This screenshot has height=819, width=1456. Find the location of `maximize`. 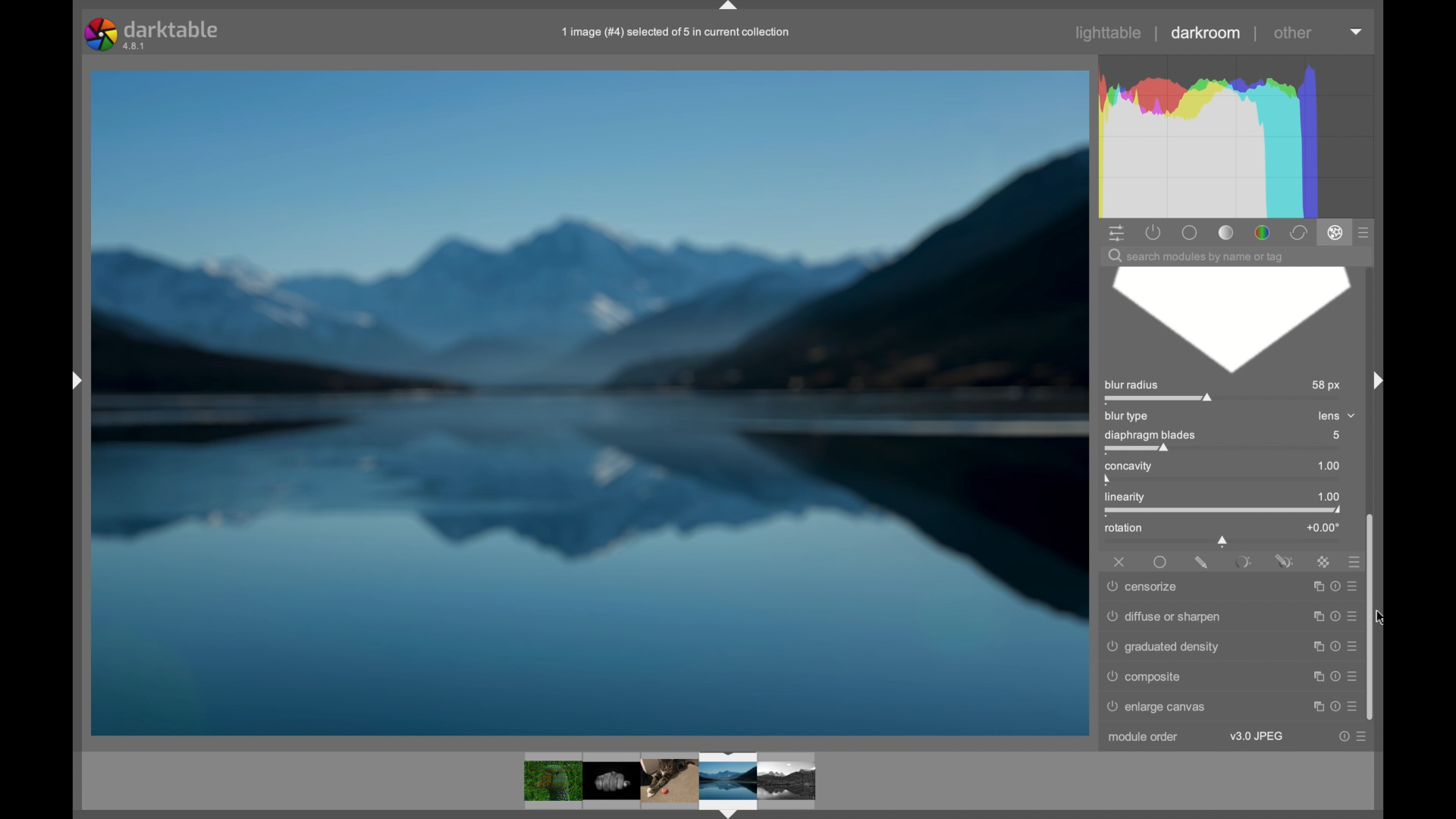

maximize is located at coordinates (1313, 674).